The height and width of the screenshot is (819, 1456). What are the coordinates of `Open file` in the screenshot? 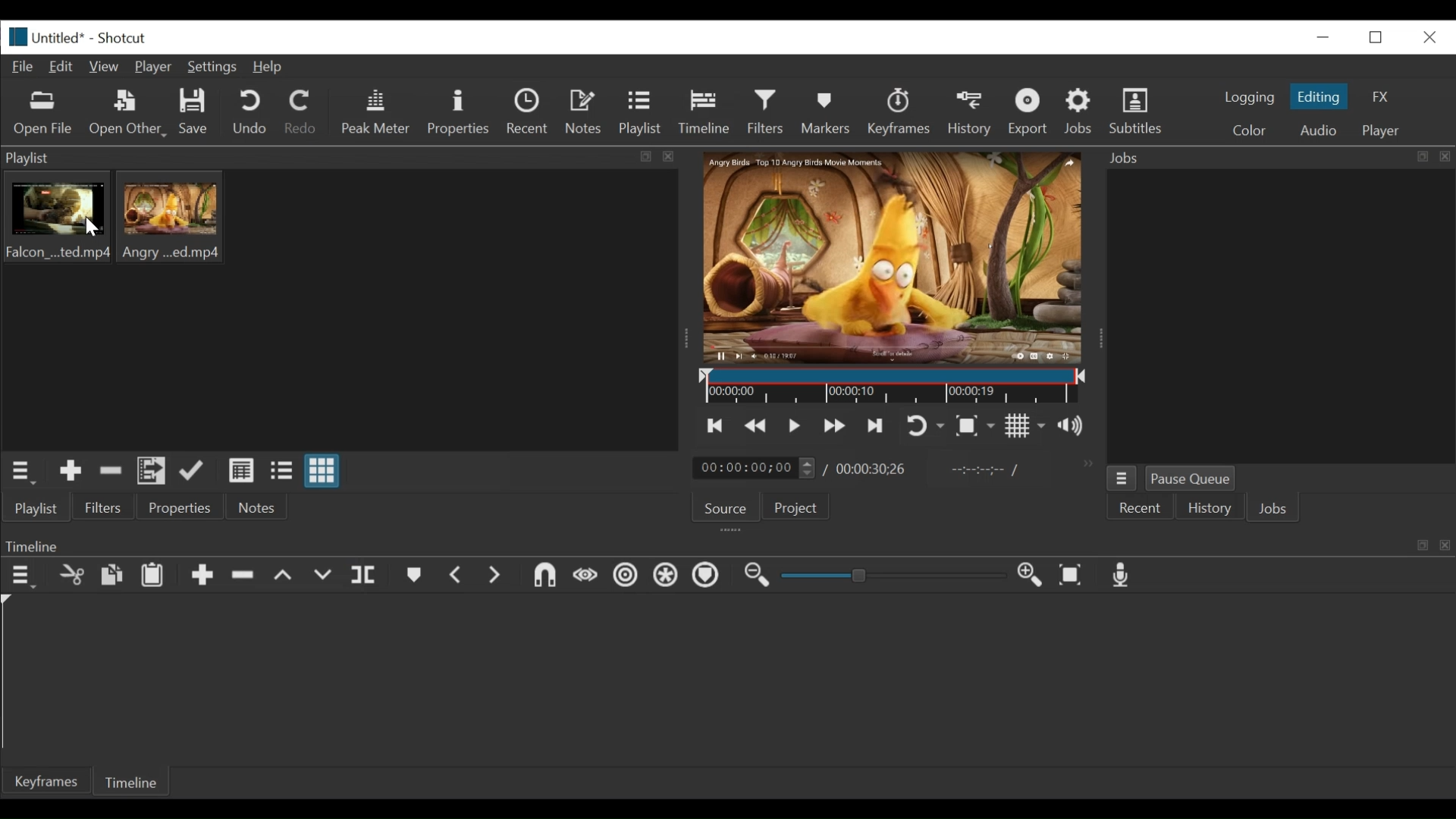 It's located at (43, 114).